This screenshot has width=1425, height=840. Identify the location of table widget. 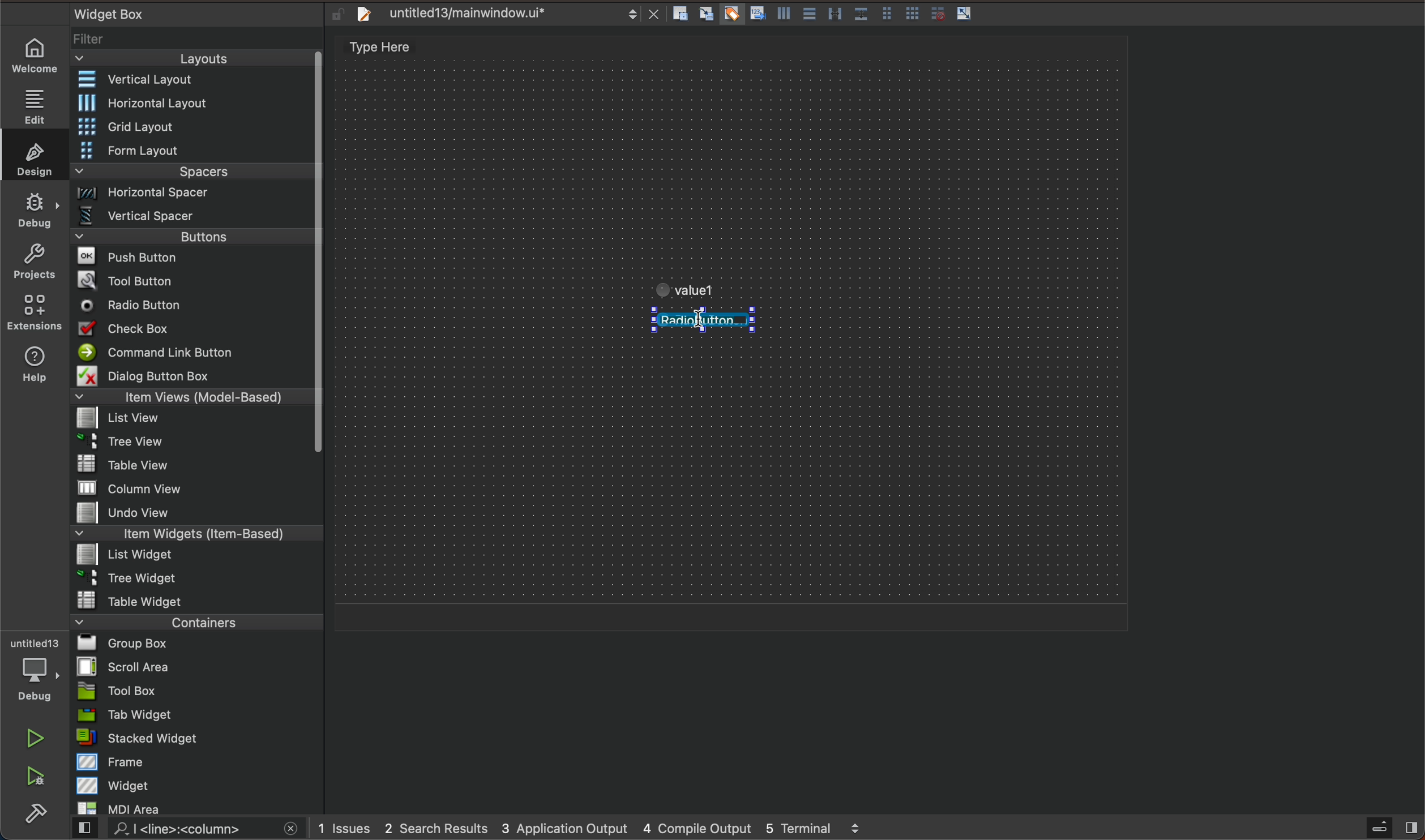
(198, 600).